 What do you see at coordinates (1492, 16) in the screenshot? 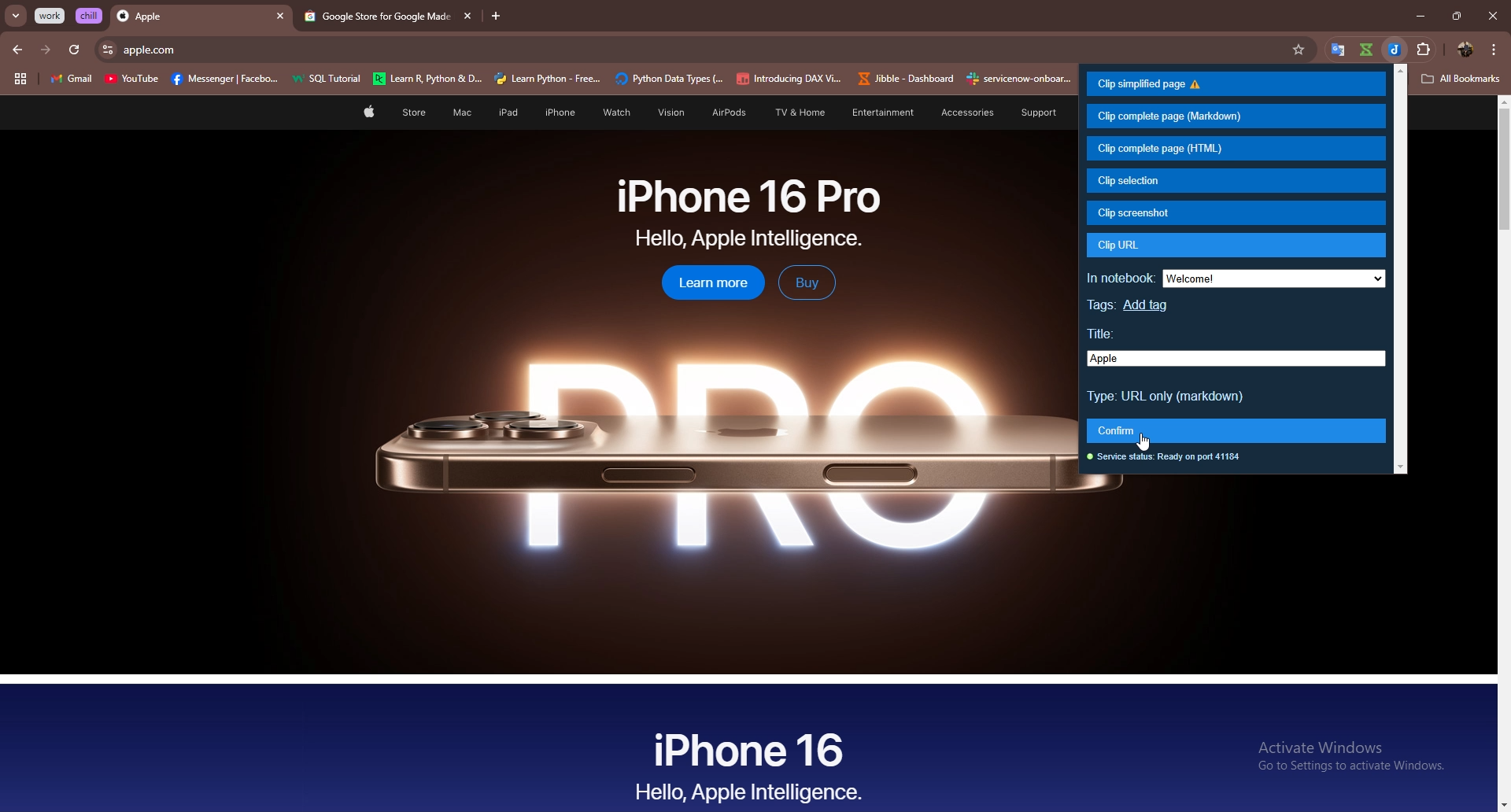
I see `close` at bounding box center [1492, 16].